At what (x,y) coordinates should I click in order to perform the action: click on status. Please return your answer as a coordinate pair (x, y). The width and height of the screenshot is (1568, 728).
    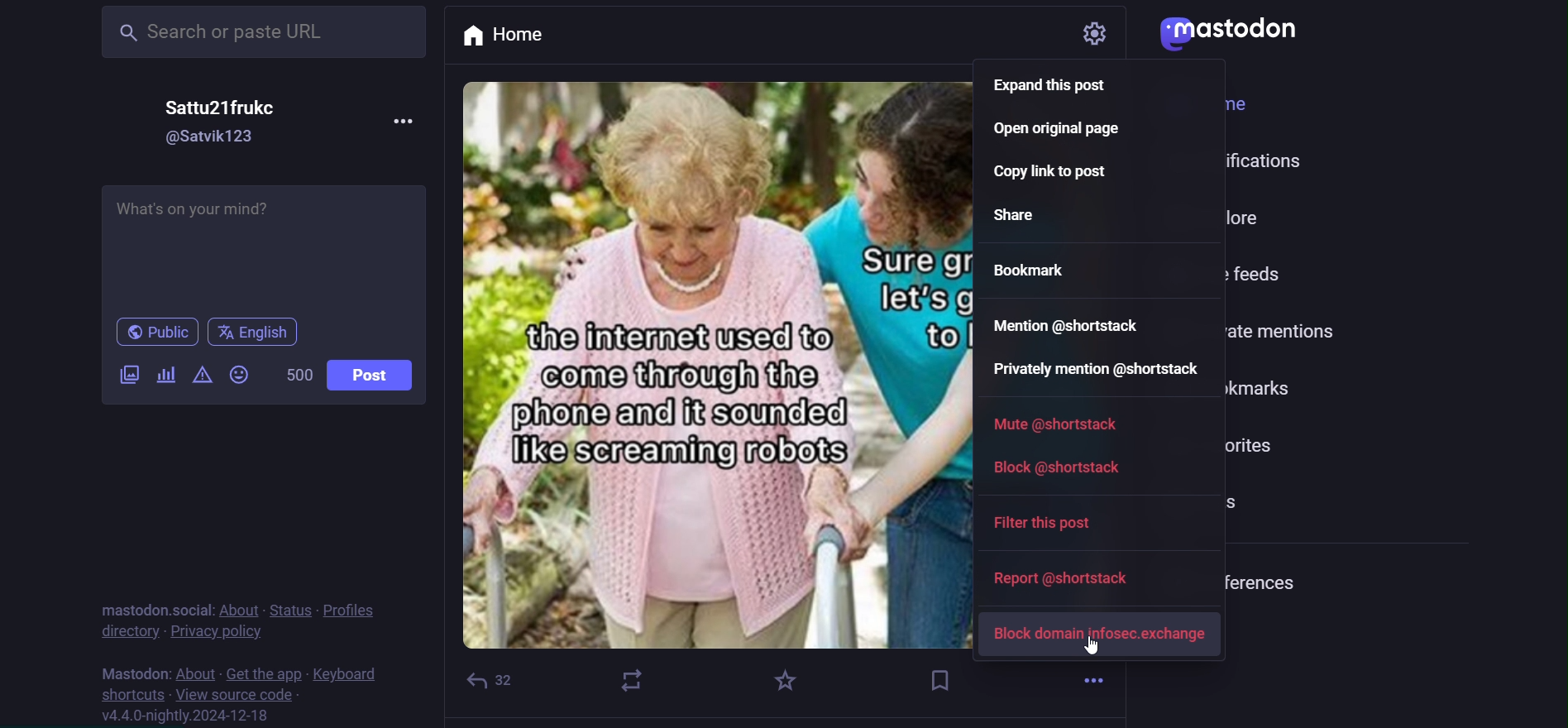
    Looking at the image, I should click on (294, 608).